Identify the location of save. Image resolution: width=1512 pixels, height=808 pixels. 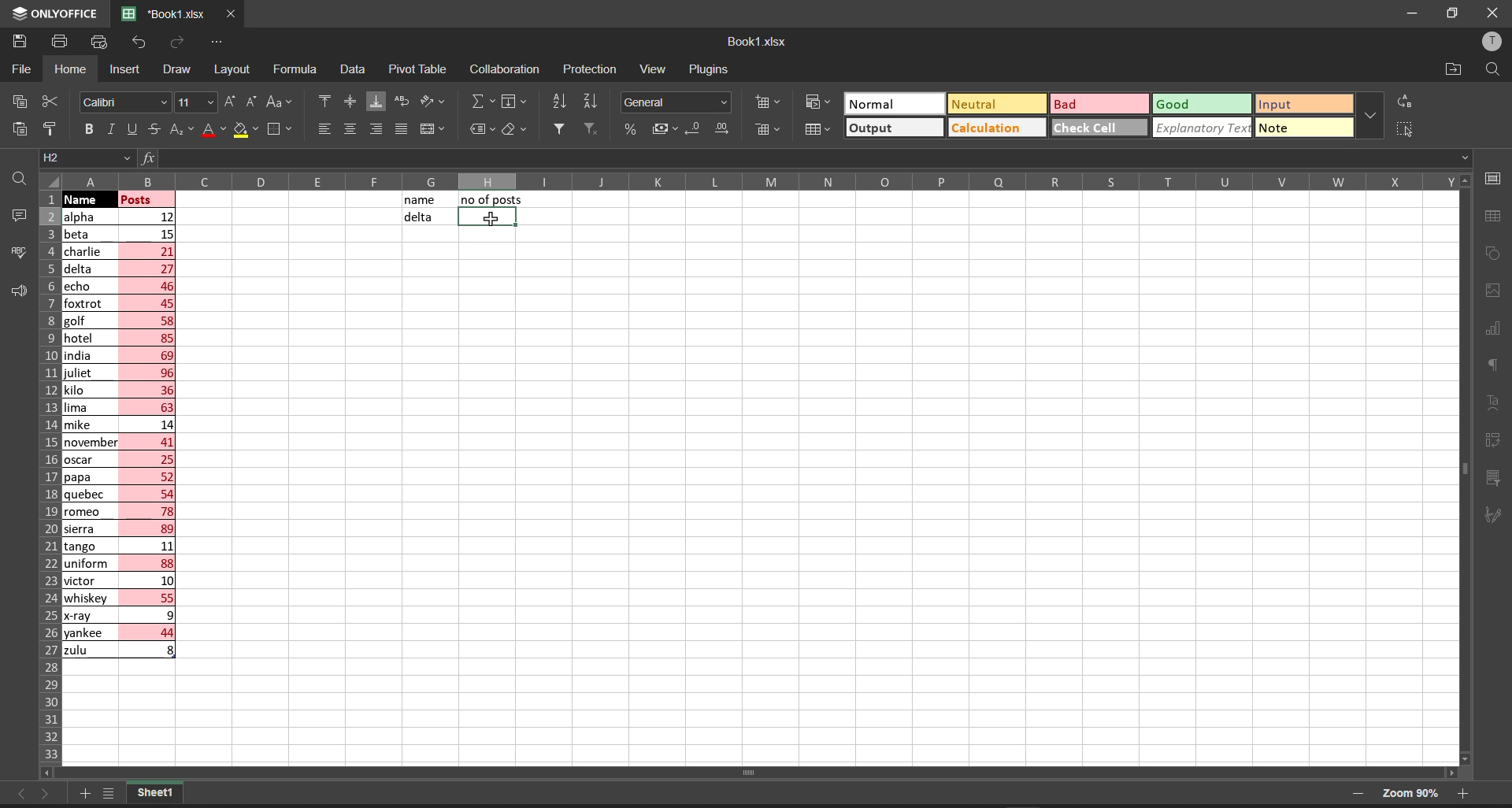
(19, 42).